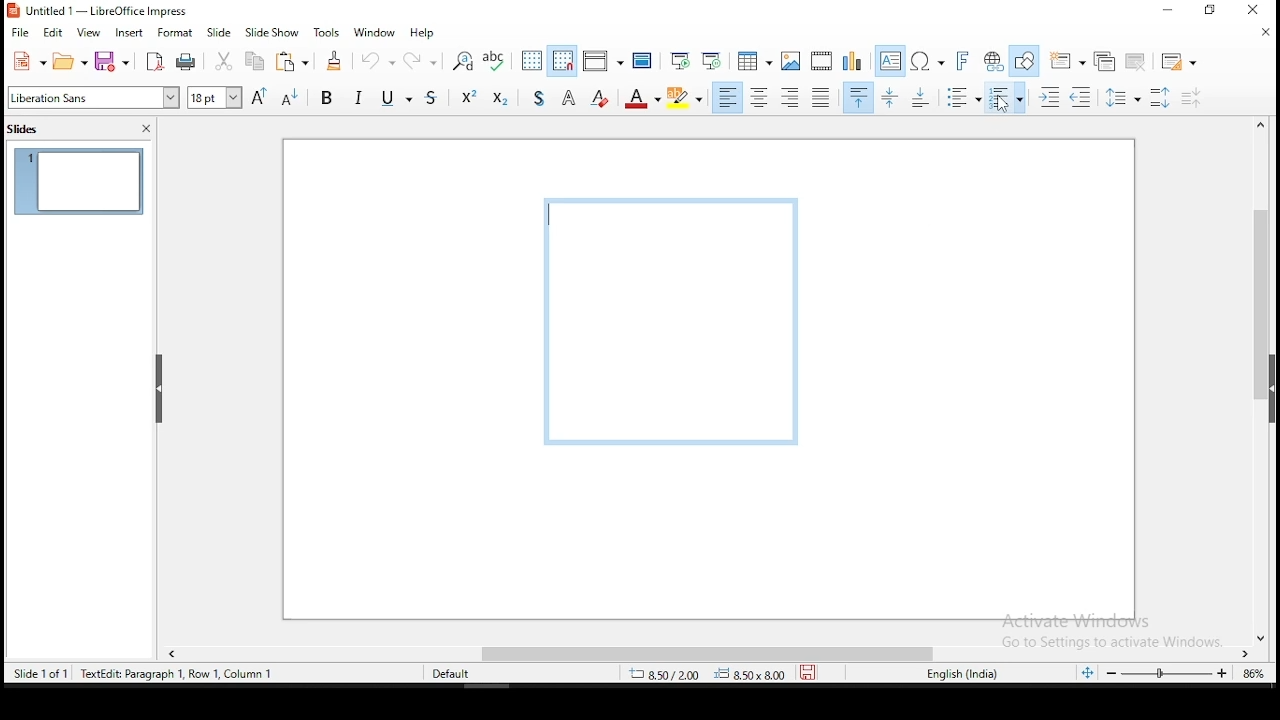 The height and width of the screenshot is (720, 1280). I want to click on active text box, so click(672, 323).